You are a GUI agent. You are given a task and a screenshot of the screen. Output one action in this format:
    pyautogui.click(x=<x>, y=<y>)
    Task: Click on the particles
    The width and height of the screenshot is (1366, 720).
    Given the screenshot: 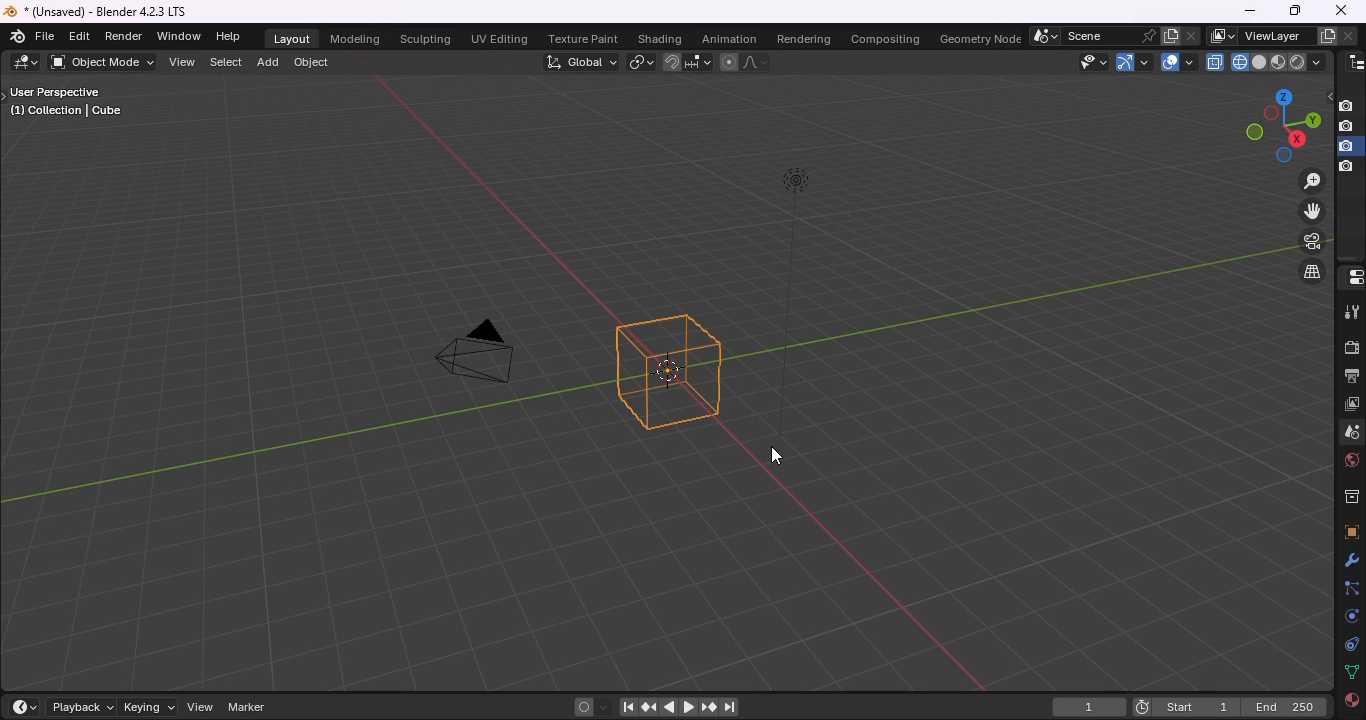 What is the action you would take?
    pyautogui.click(x=1351, y=589)
    